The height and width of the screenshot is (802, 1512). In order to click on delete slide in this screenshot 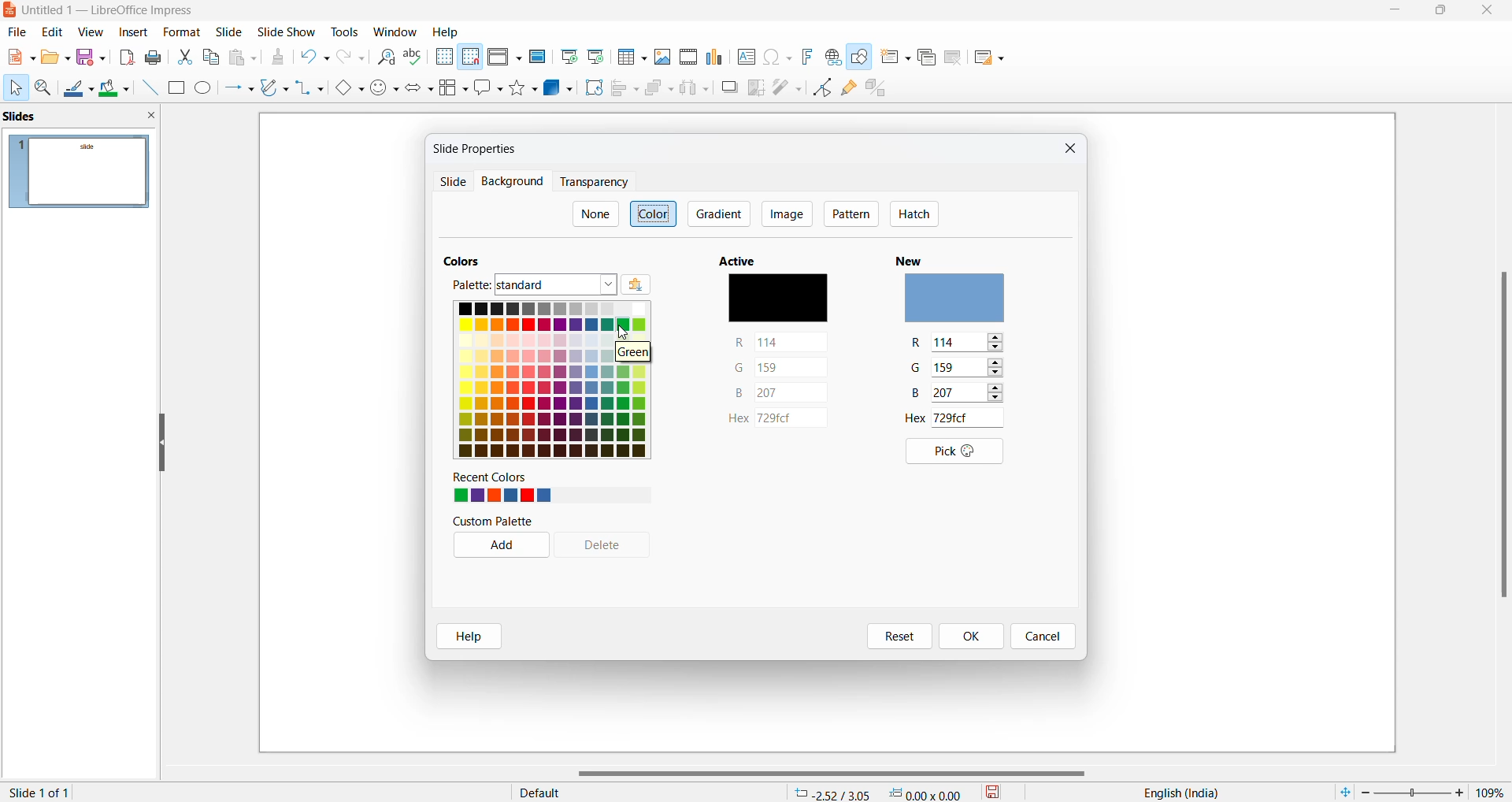, I will do `click(953, 61)`.